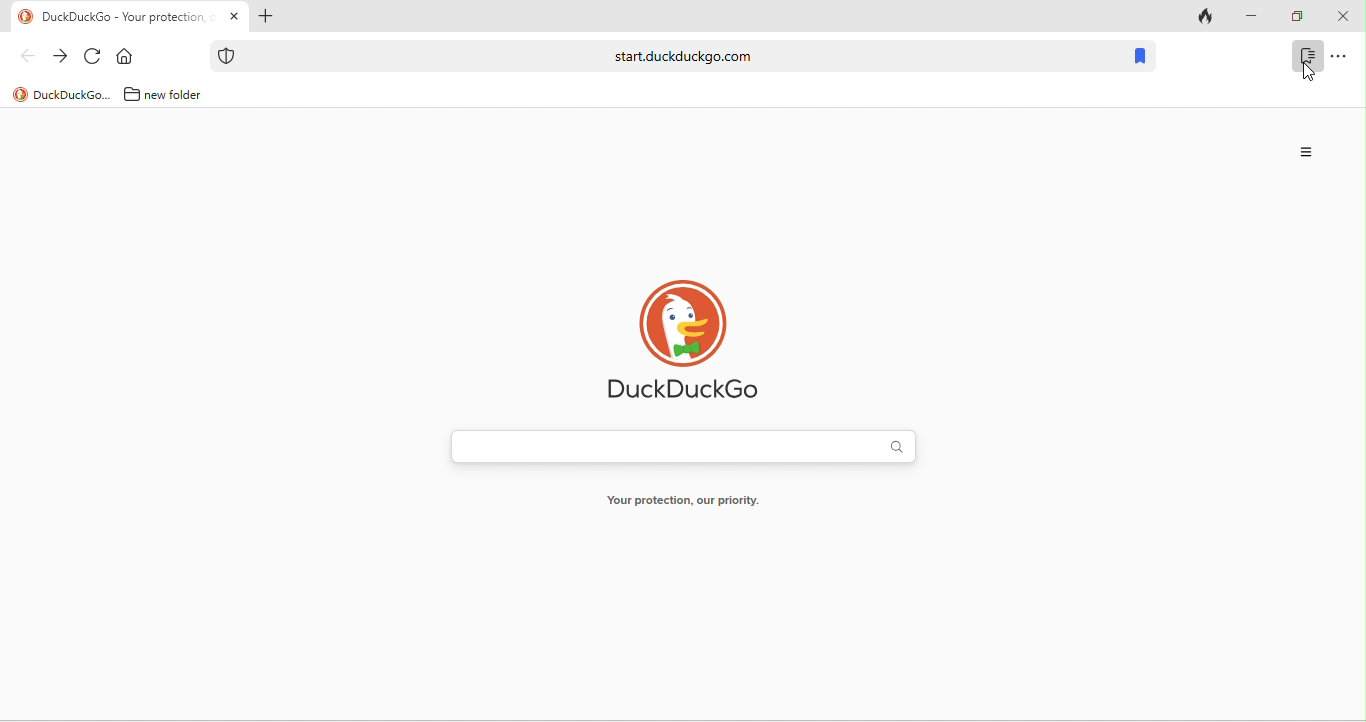 The width and height of the screenshot is (1366, 722). I want to click on reload, so click(93, 56).